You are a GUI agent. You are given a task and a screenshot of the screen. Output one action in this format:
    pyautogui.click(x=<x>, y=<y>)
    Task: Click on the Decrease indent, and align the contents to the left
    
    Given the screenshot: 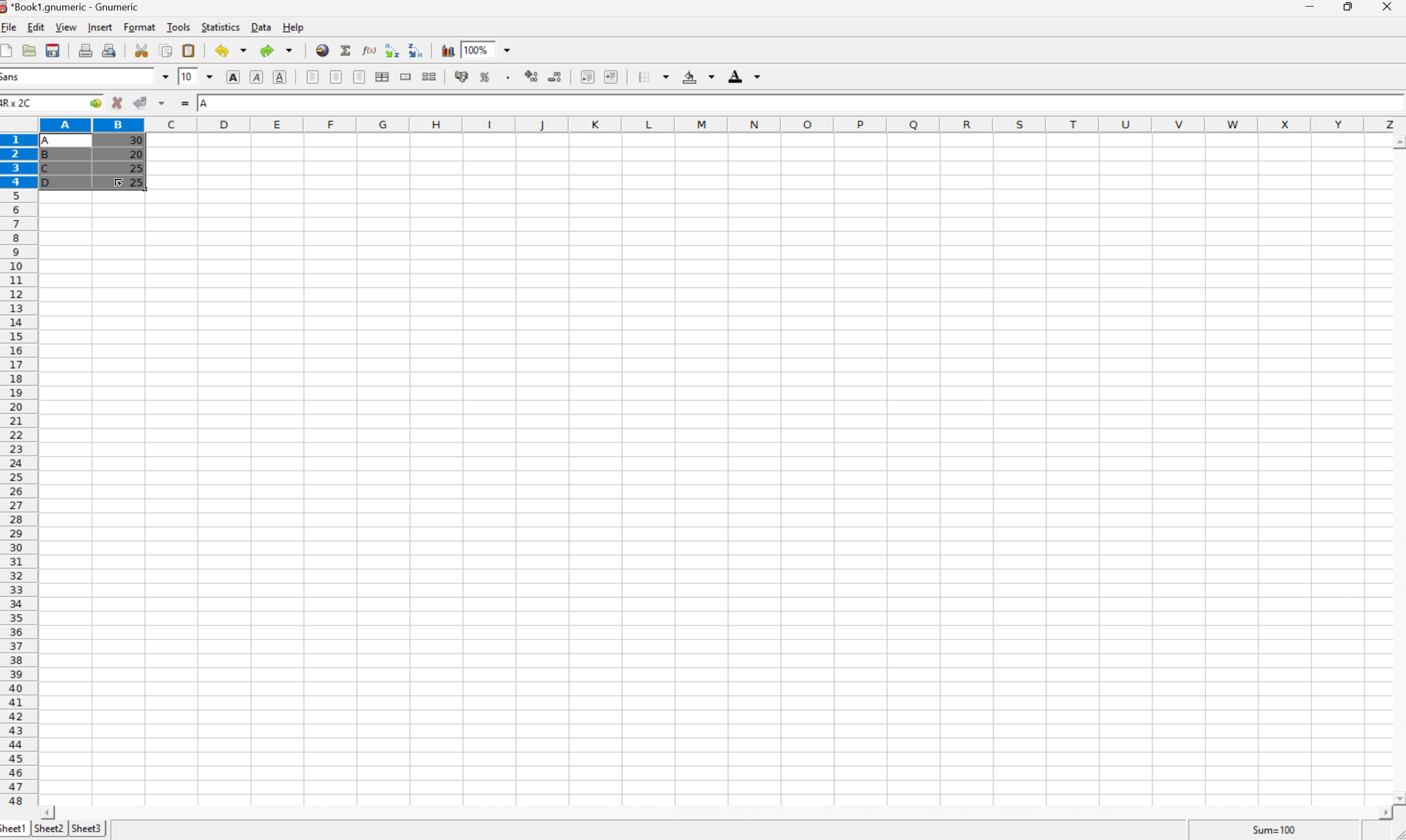 What is the action you would take?
    pyautogui.click(x=587, y=78)
    